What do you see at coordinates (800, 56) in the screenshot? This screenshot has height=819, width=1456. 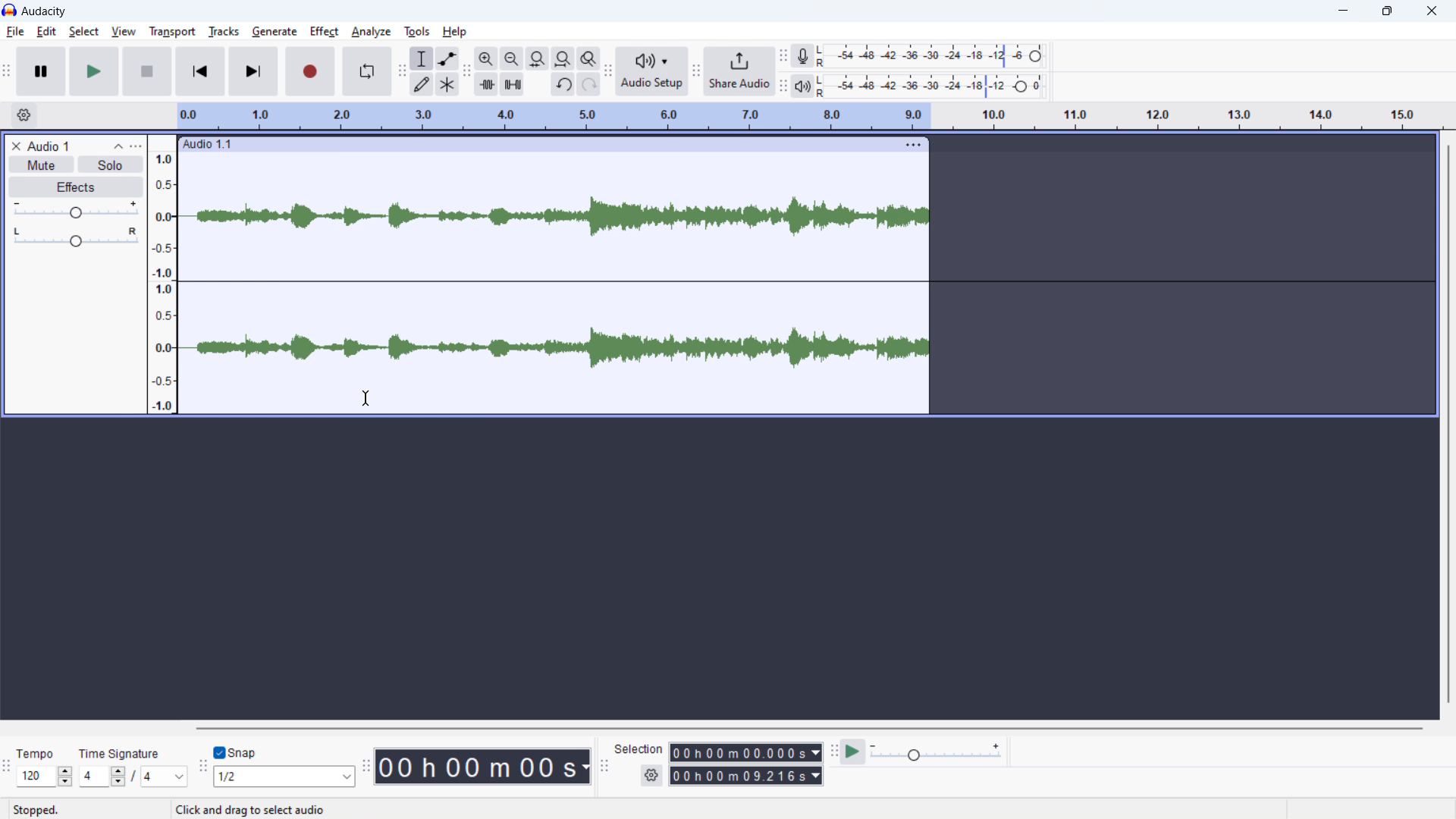 I see `recording meter` at bounding box center [800, 56].